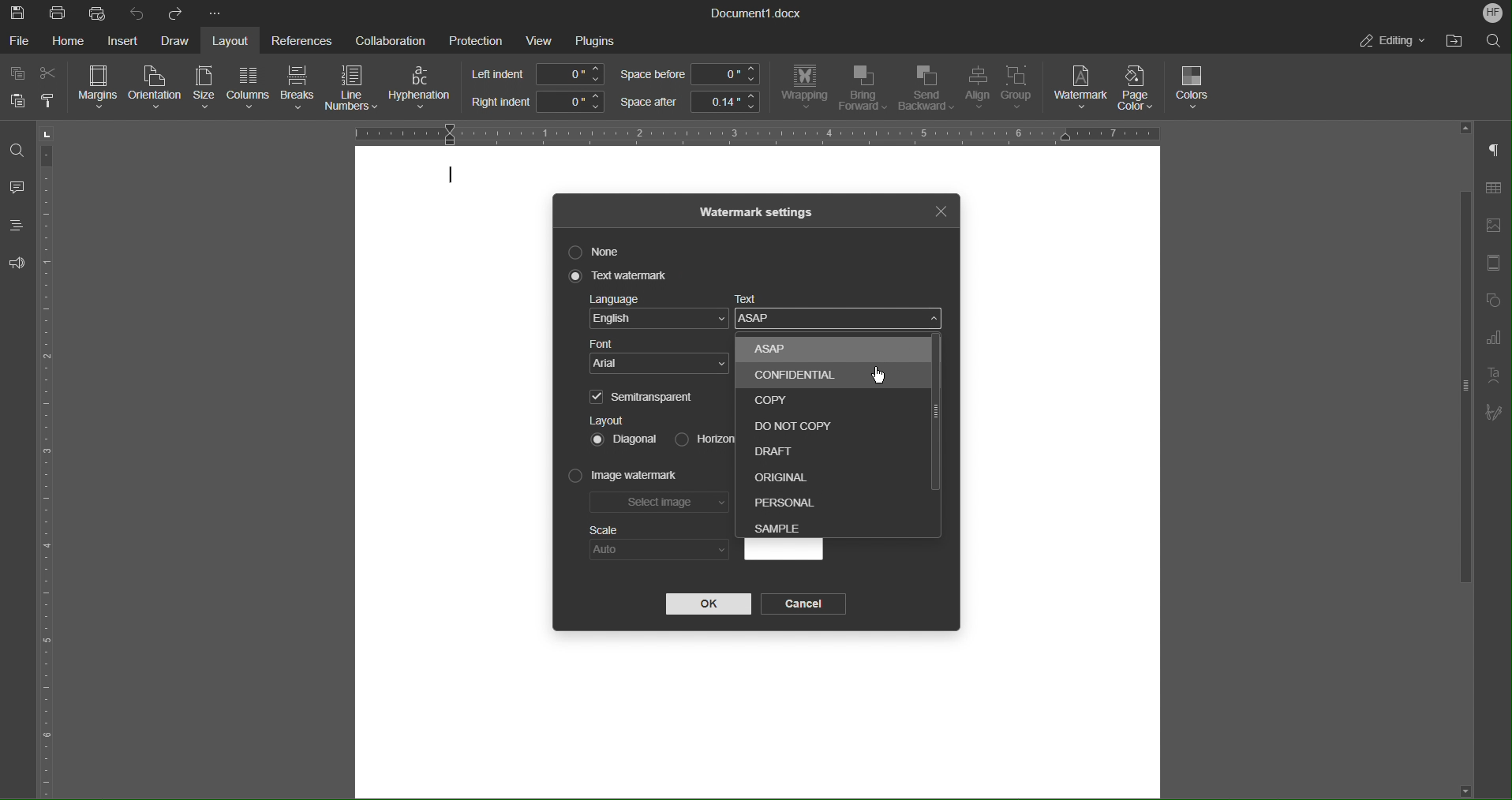 This screenshot has height=800, width=1512. Describe the element at coordinates (620, 276) in the screenshot. I see `Text Watermark (selected)` at that location.